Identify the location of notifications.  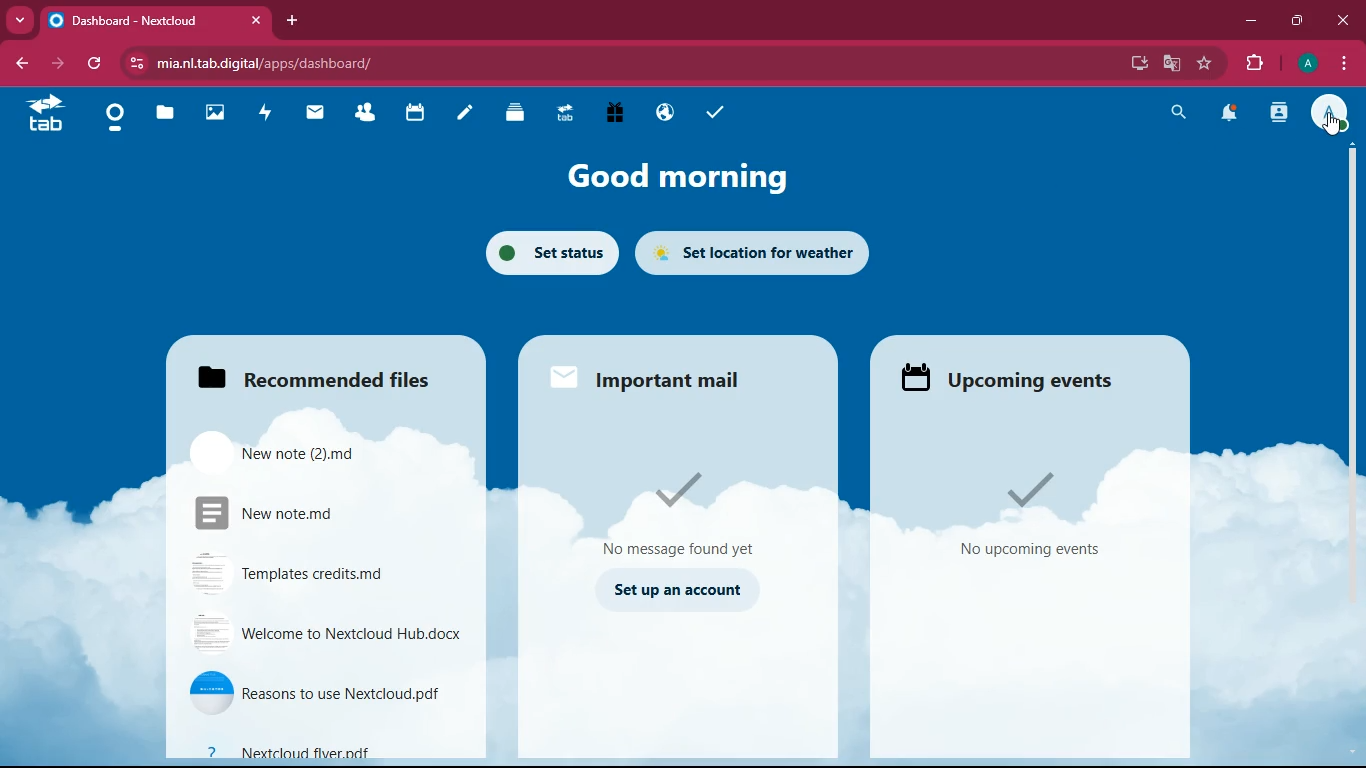
(1232, 114).